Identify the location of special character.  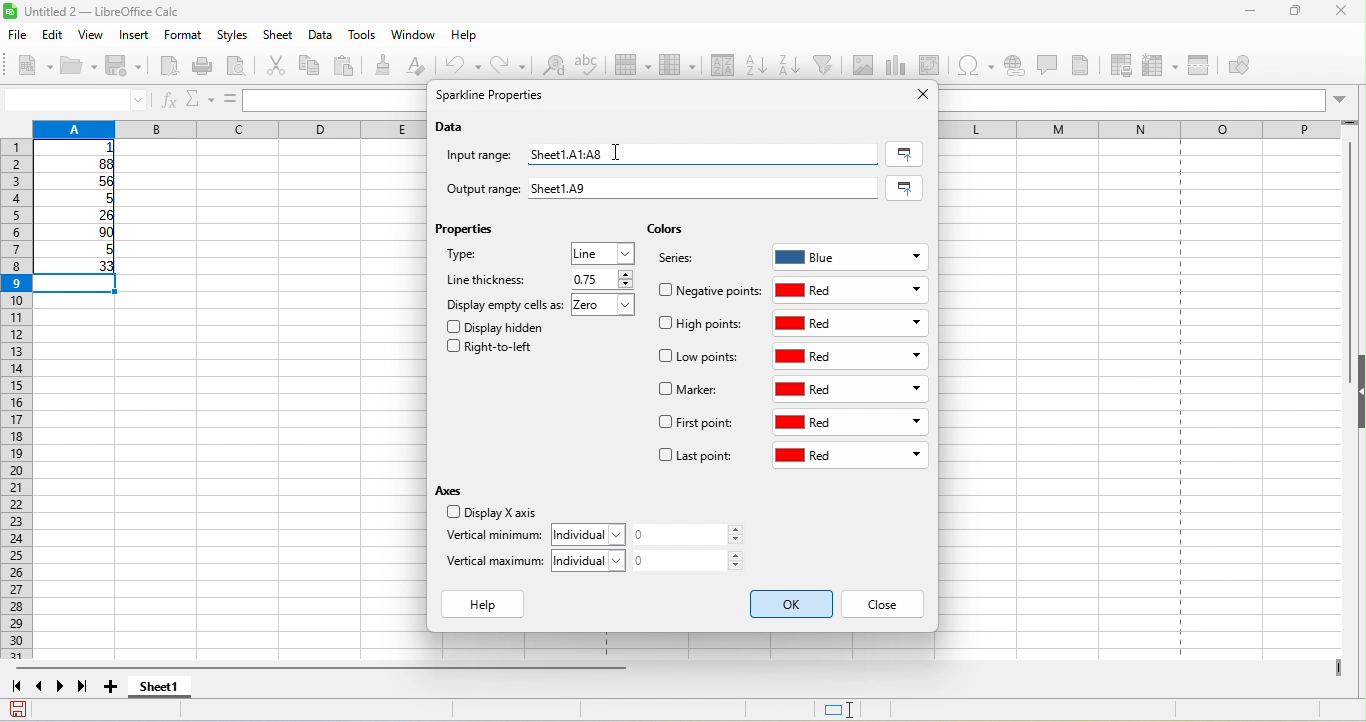
(974, 66).